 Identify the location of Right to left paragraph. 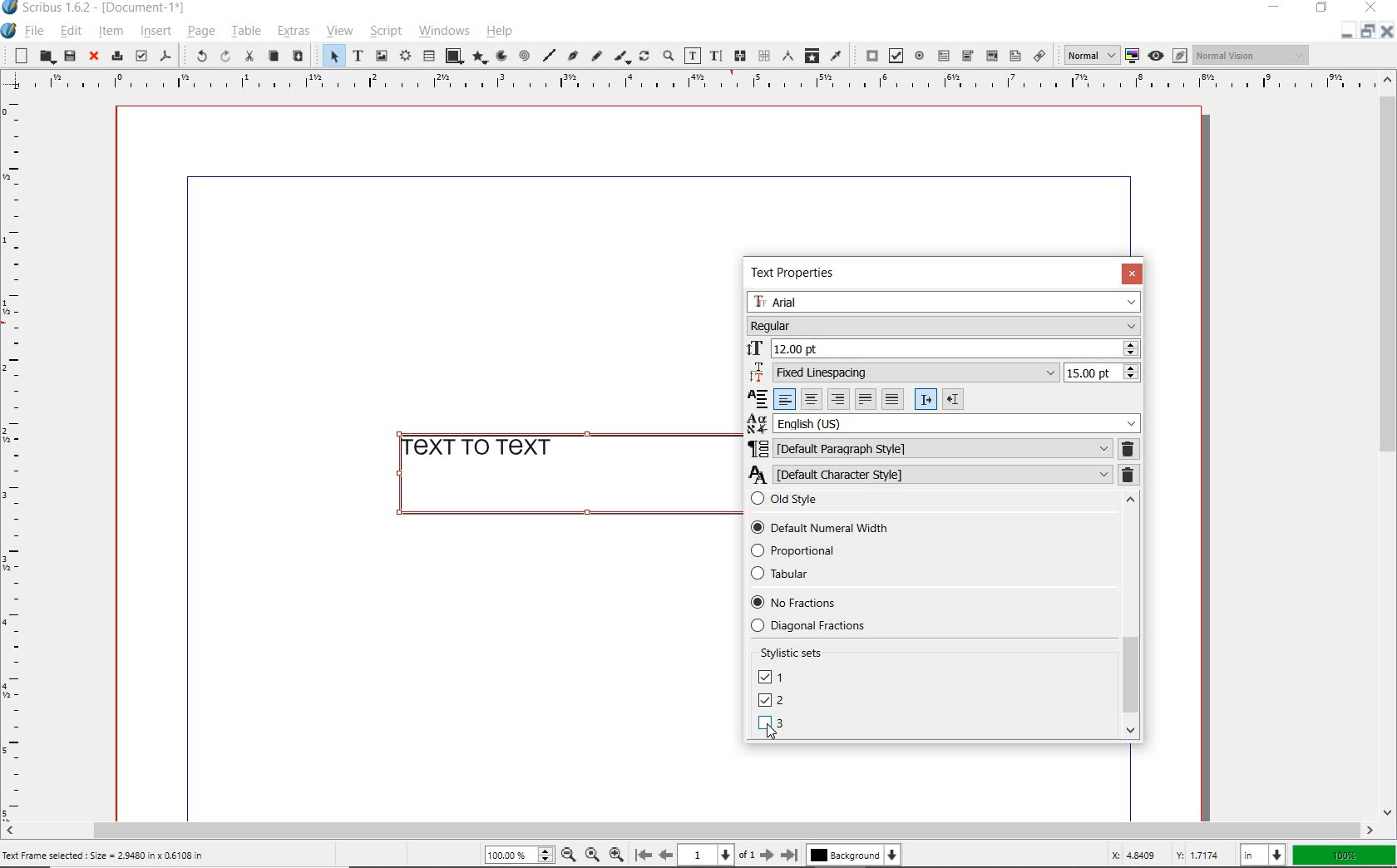
(954, 398).